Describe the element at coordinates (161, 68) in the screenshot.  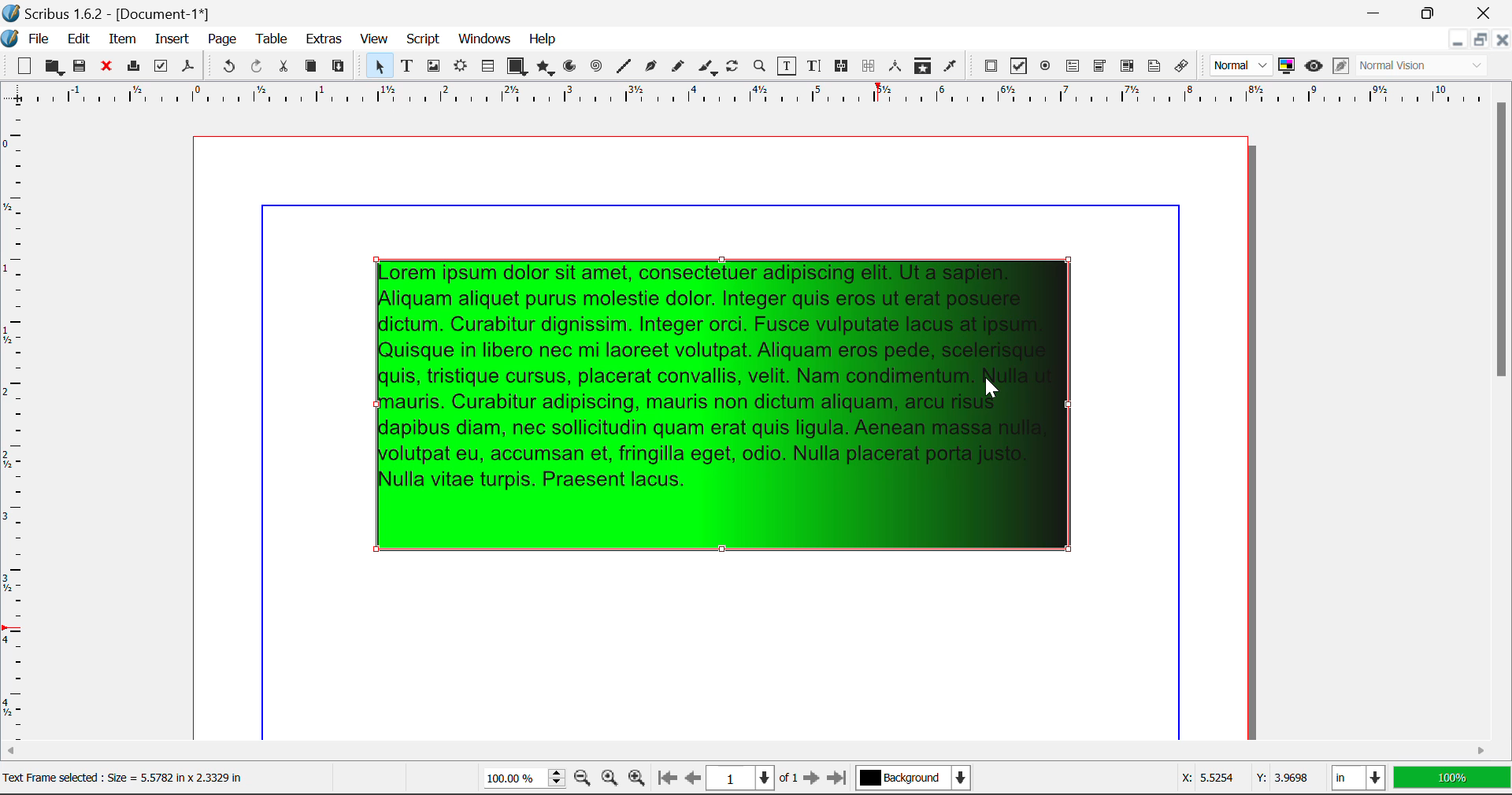
I see `Preflight Verifier` at that location.